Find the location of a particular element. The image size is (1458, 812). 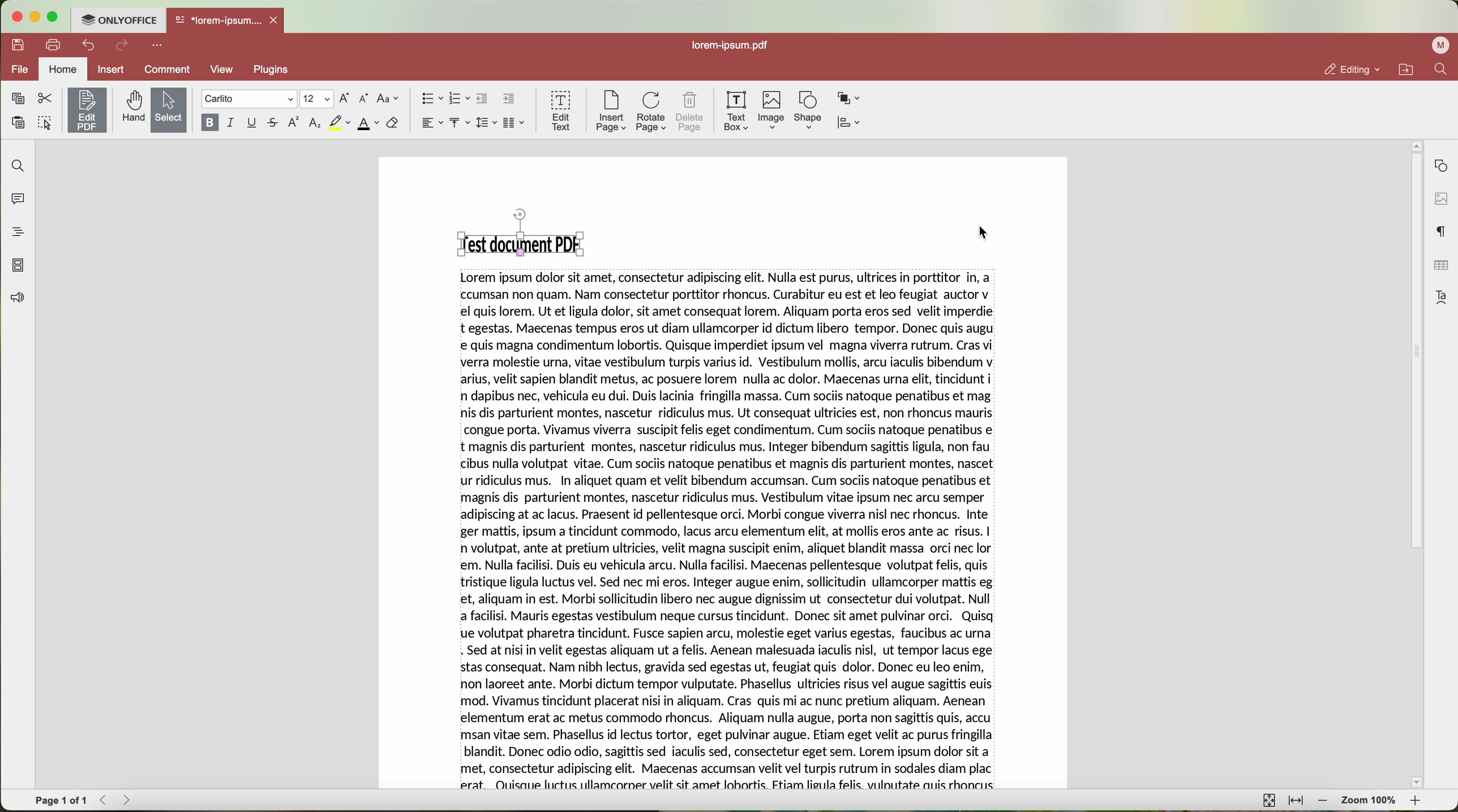

customize quick access toolbar is located at coordinates (158, 46).